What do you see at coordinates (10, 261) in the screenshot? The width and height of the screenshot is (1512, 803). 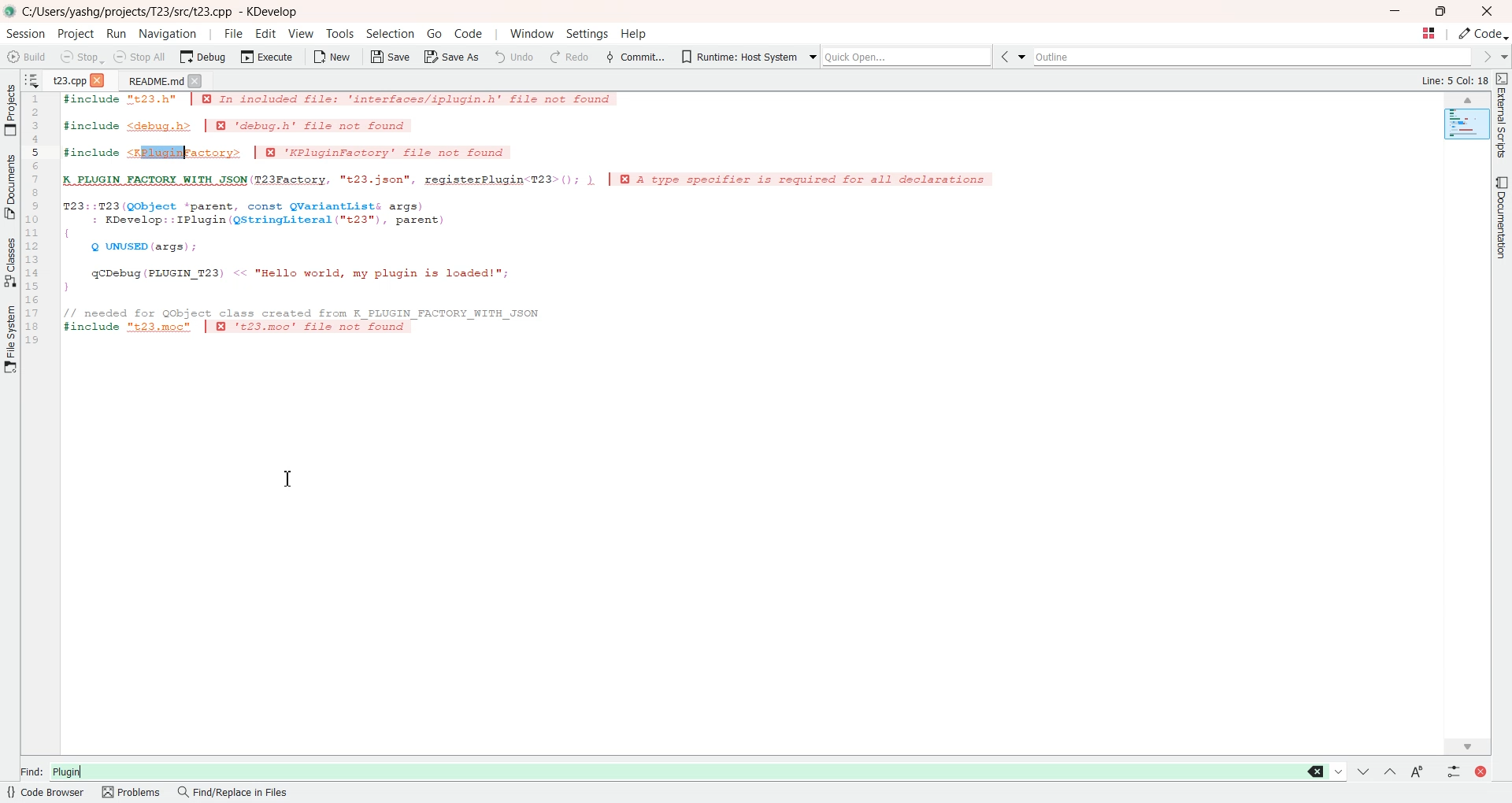 I see `Classes` at bounding box center [10, 261].